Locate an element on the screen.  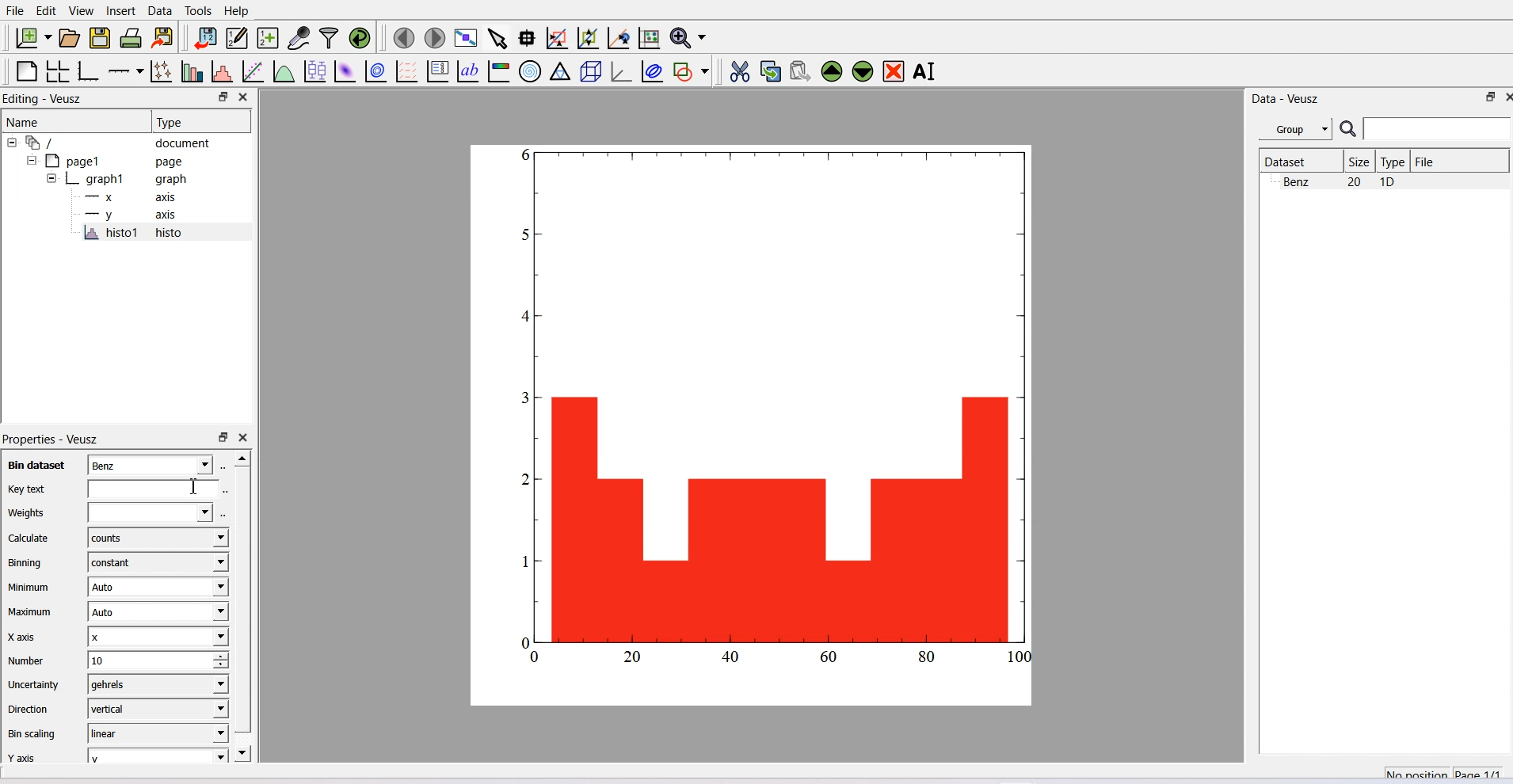
Maximum - Auto is located at coordinates (115, 611).